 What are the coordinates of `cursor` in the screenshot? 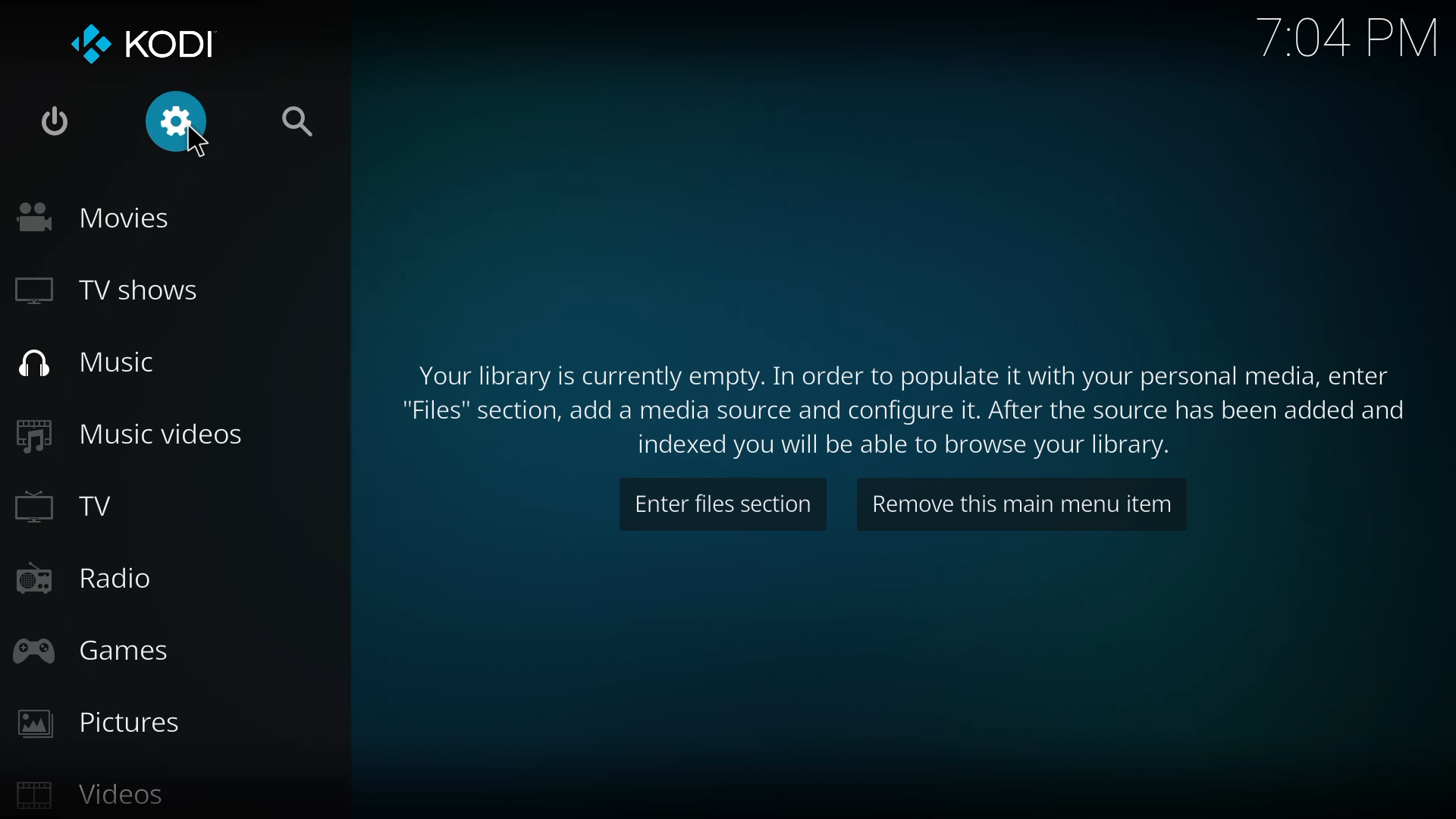 It's located at (199, 143).